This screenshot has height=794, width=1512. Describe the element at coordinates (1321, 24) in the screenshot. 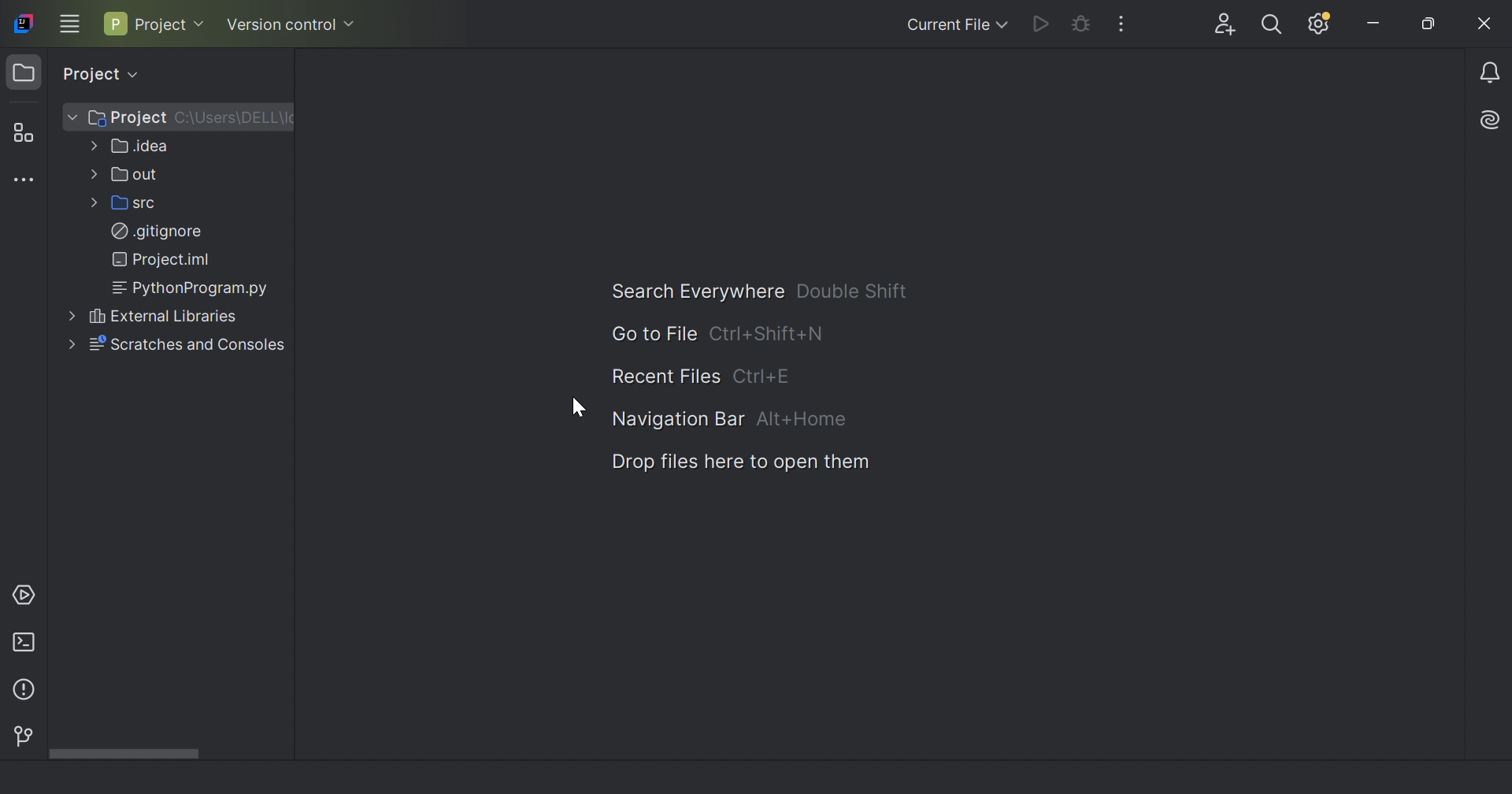

I see `Update available. IDE and Project settings` at that location.